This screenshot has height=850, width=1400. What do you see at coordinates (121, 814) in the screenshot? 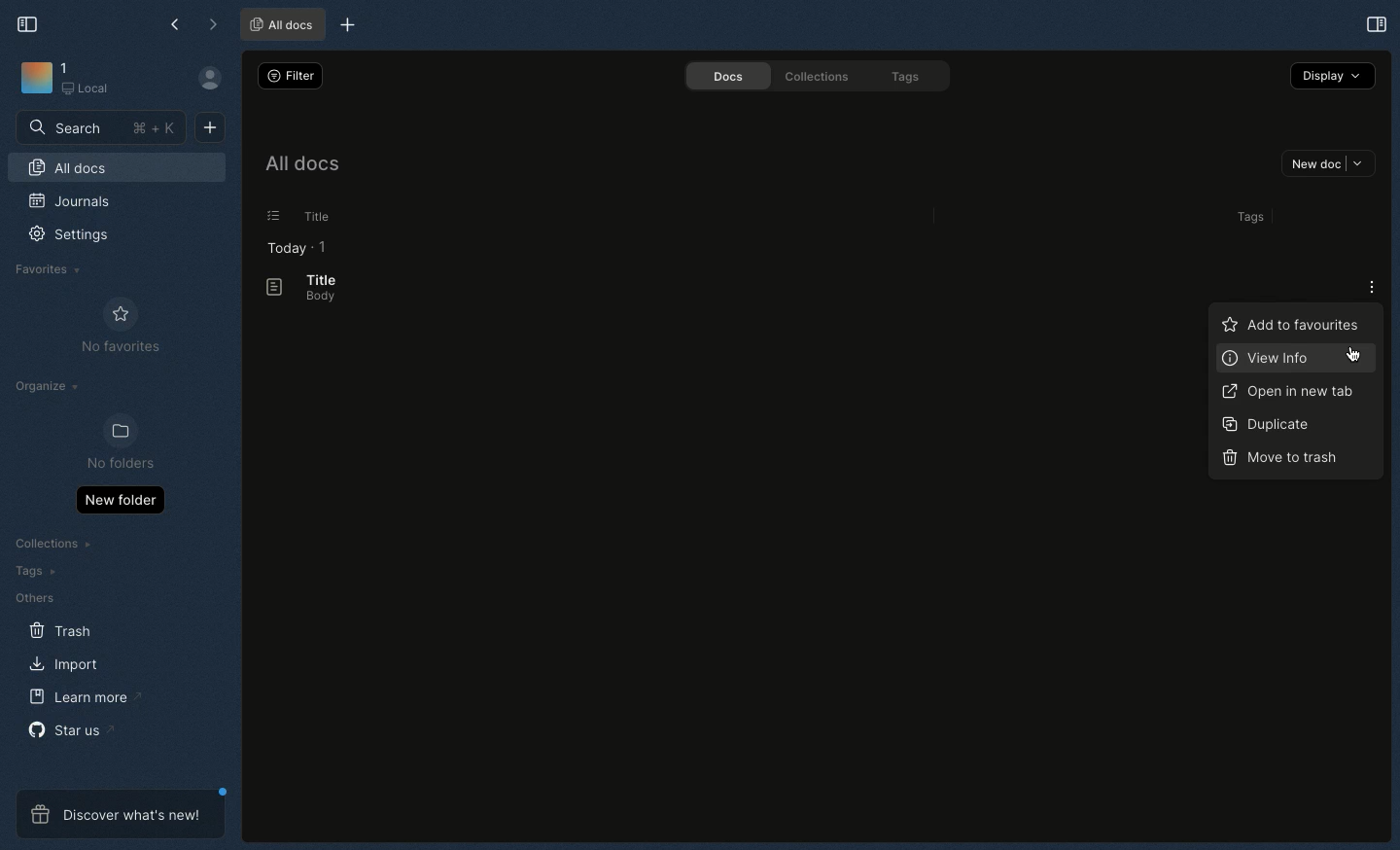
I see `Discover what's new` at bounding box center [121, 814].